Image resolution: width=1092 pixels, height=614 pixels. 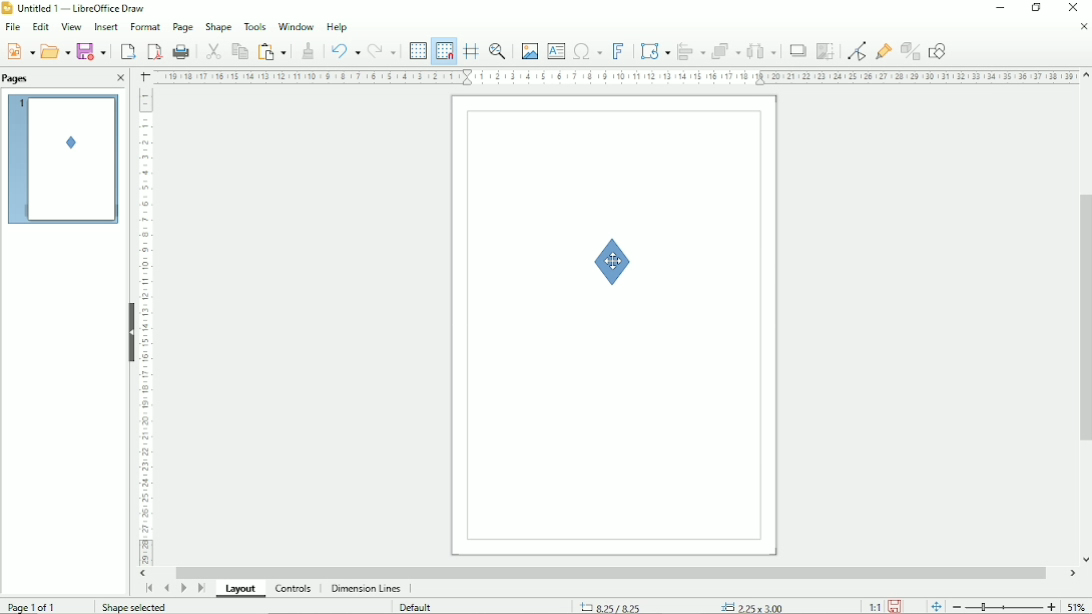 I want to click on Vertical scrollbar, so click(x=1082, y=321).